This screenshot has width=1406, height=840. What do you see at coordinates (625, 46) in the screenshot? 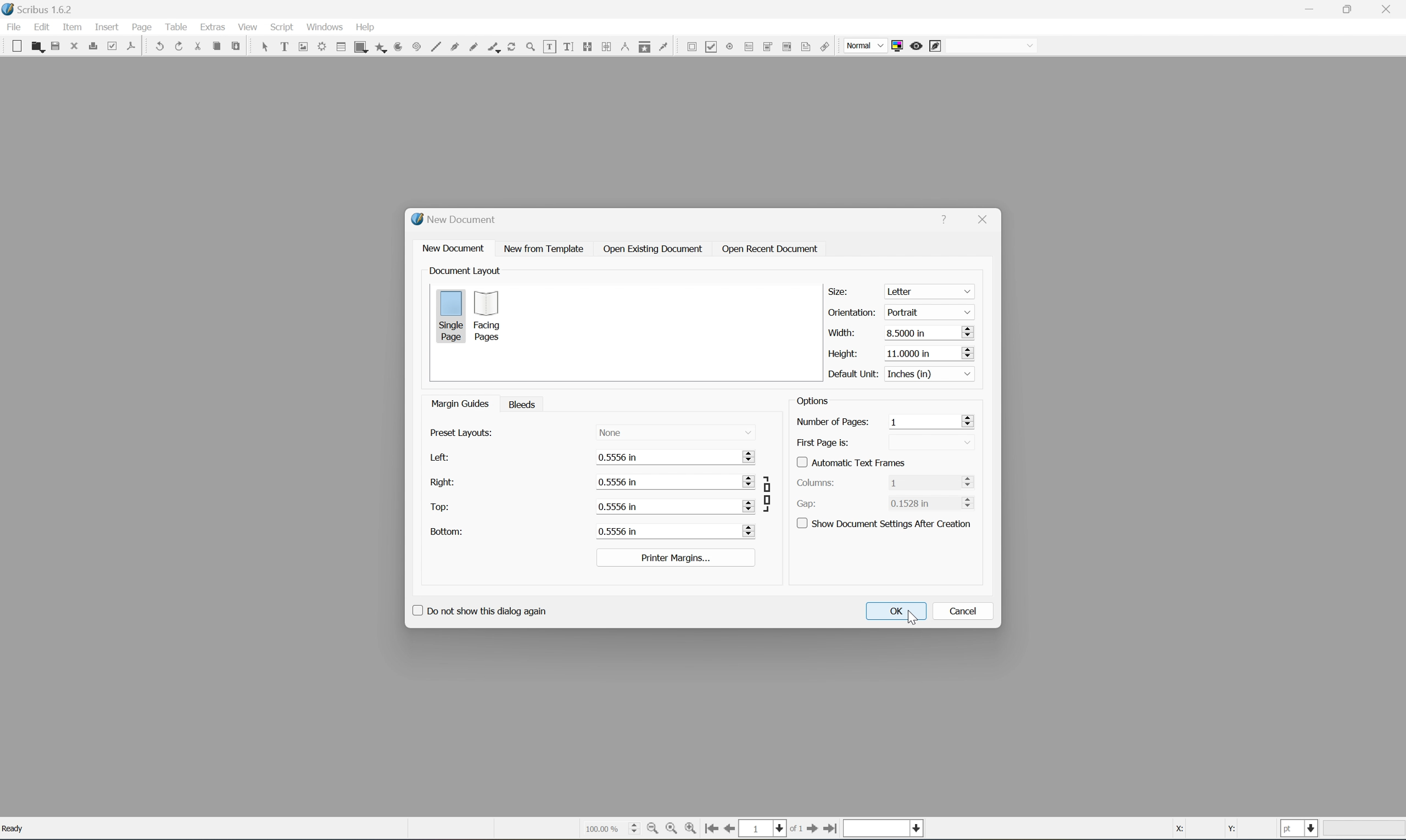
I see `measurements` at bounding box center [625, 46].